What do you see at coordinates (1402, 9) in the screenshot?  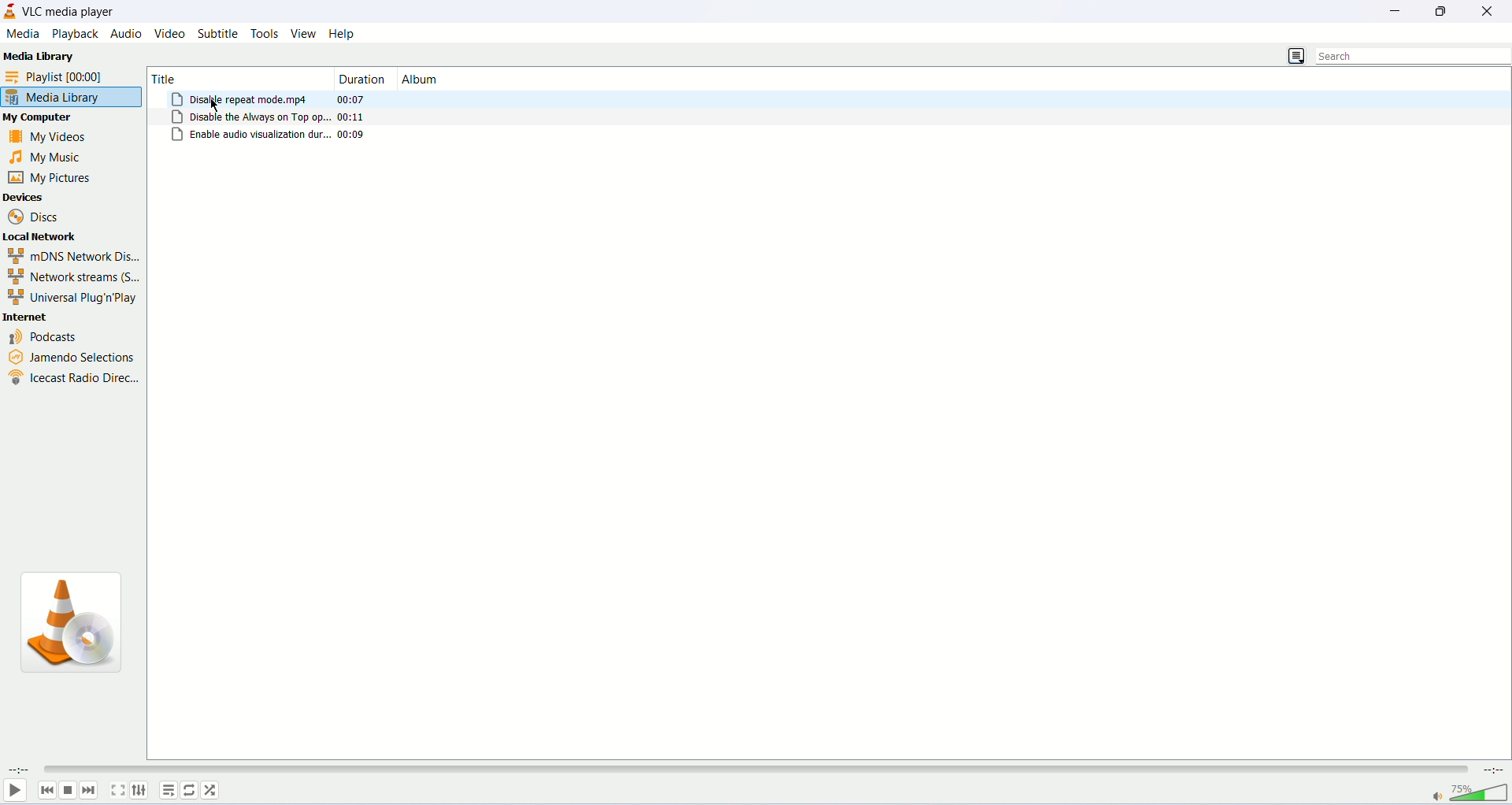 I see `minimize` at bounding box center [1402, 9].